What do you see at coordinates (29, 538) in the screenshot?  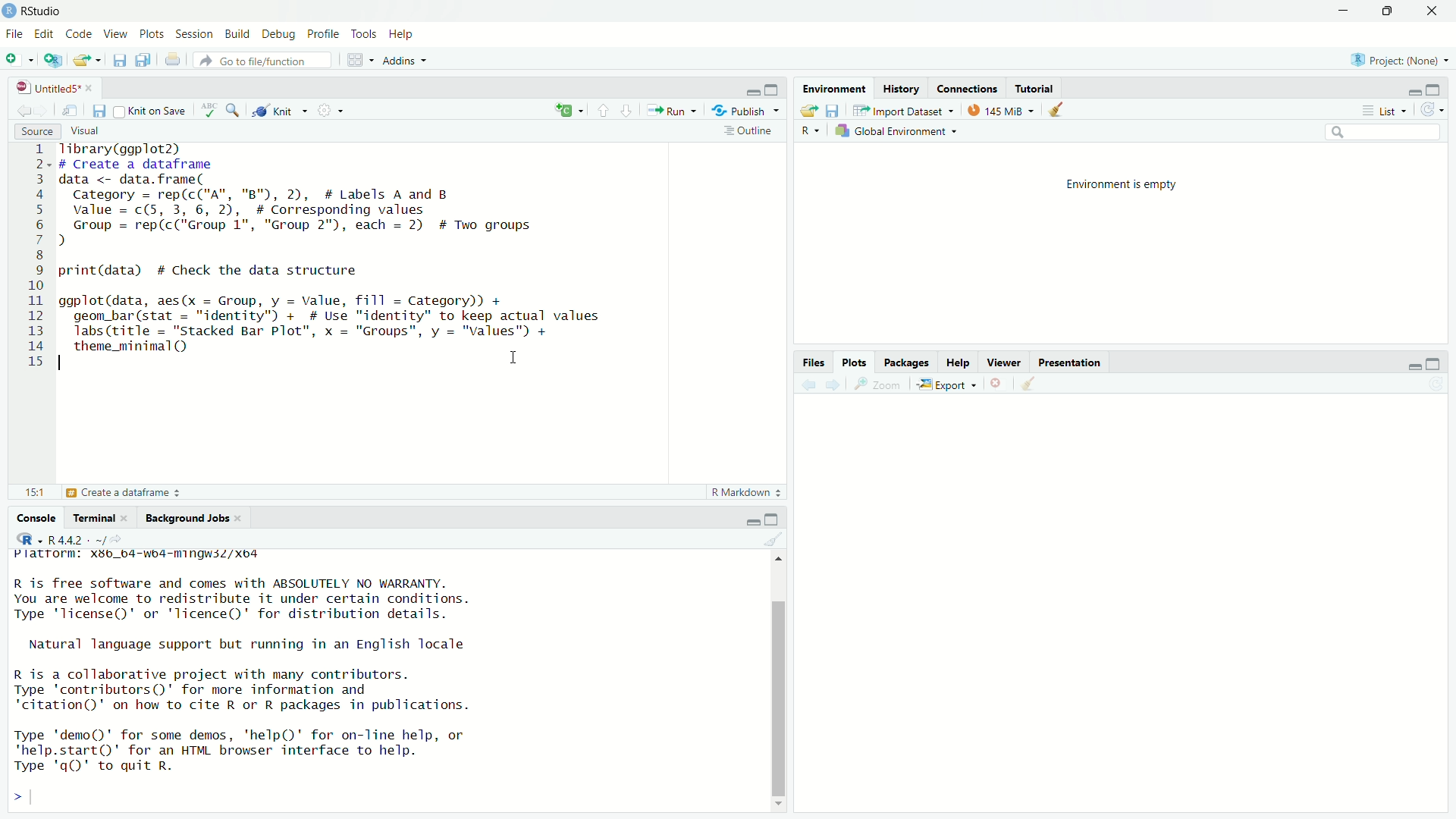 I see `R` at bounding box center [29, 538].